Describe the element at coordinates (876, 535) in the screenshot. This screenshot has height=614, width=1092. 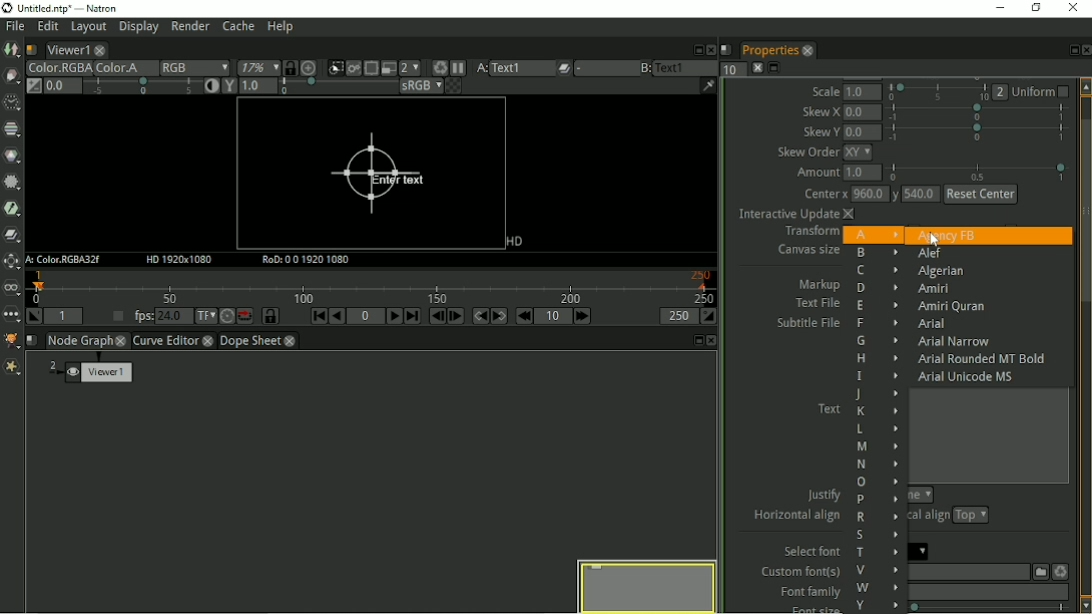
I see `S` at that location.